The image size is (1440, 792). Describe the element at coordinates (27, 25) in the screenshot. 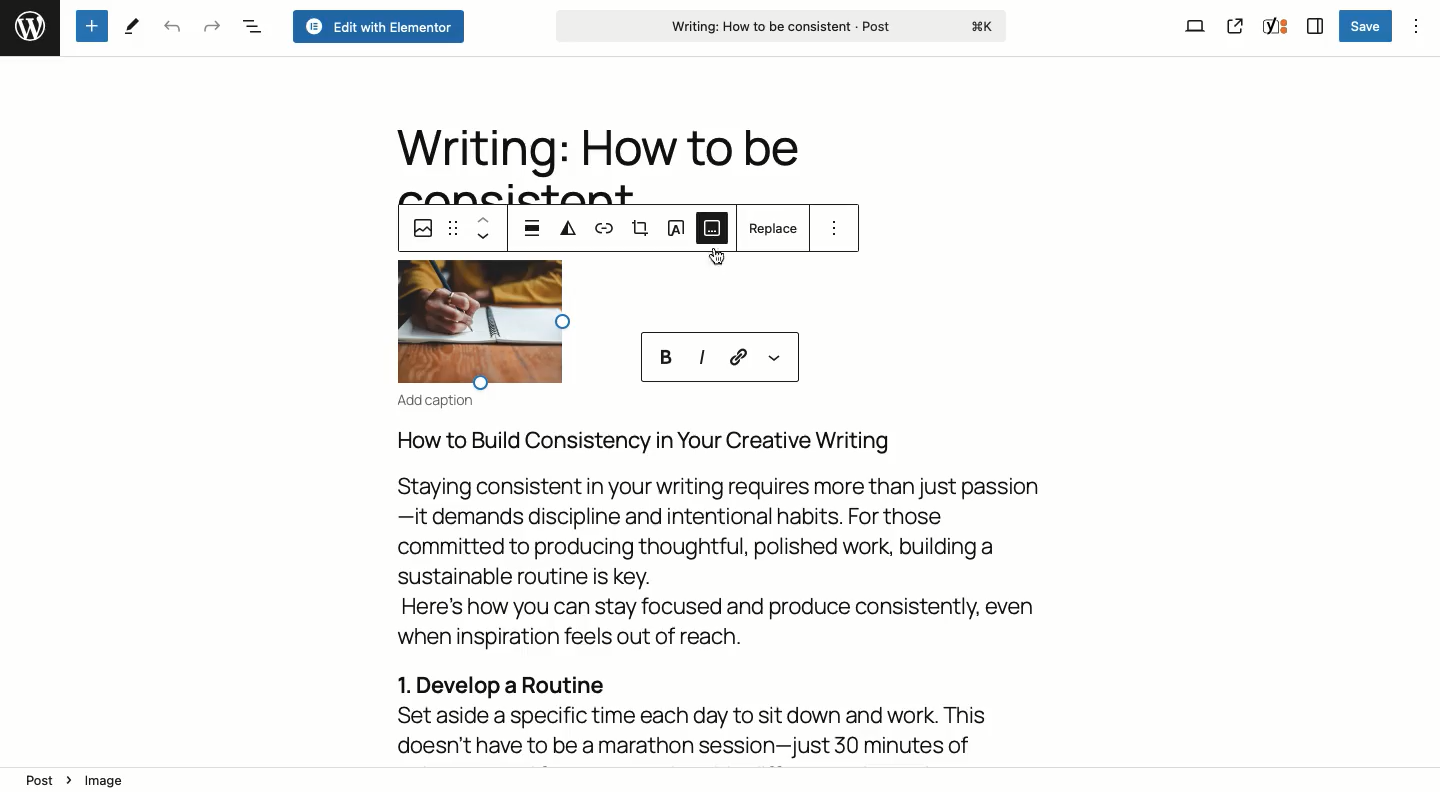

I see `Logo` at that location.